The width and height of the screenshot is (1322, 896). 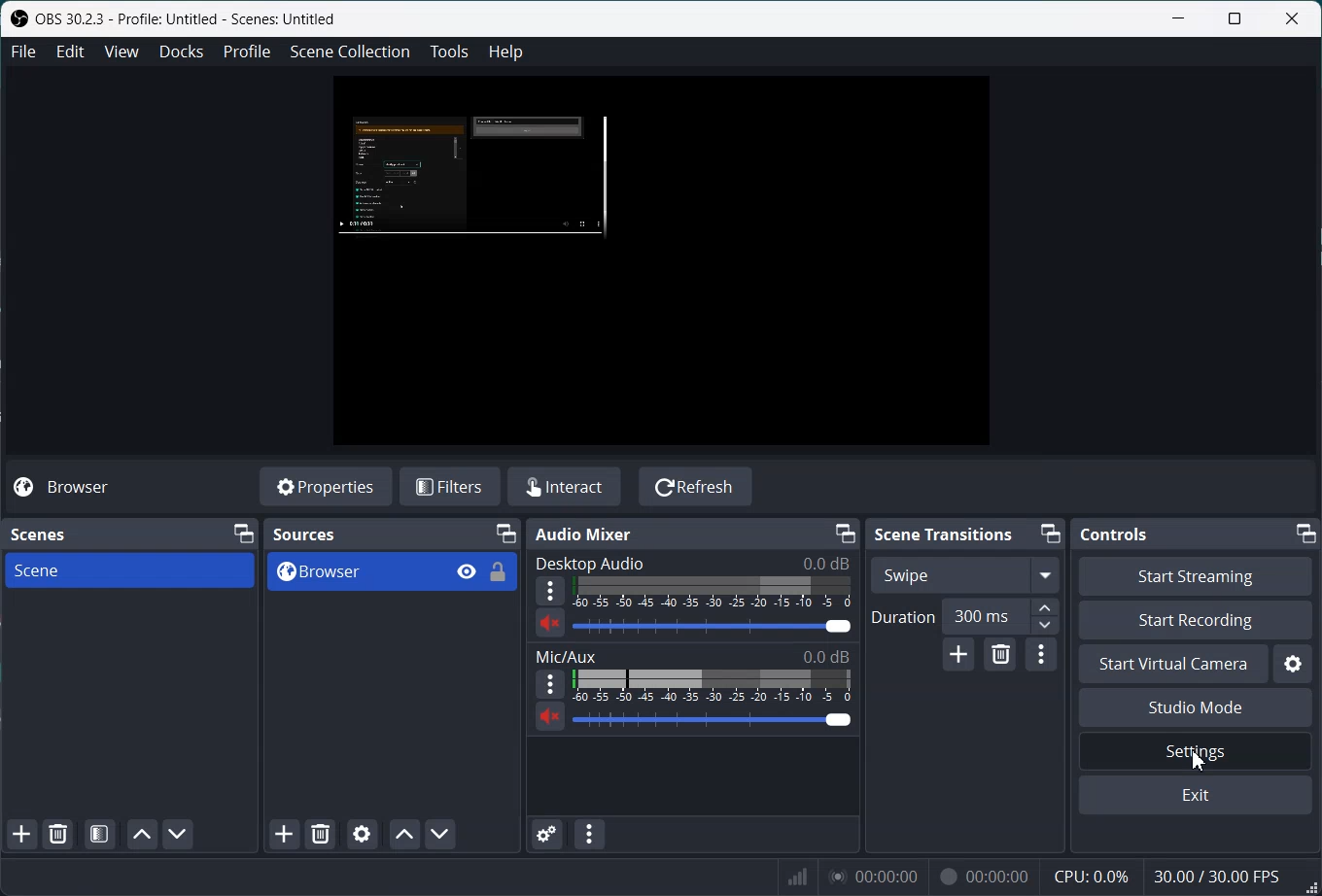 I want to click on Window adjuster, so click(x=1311, y=887).